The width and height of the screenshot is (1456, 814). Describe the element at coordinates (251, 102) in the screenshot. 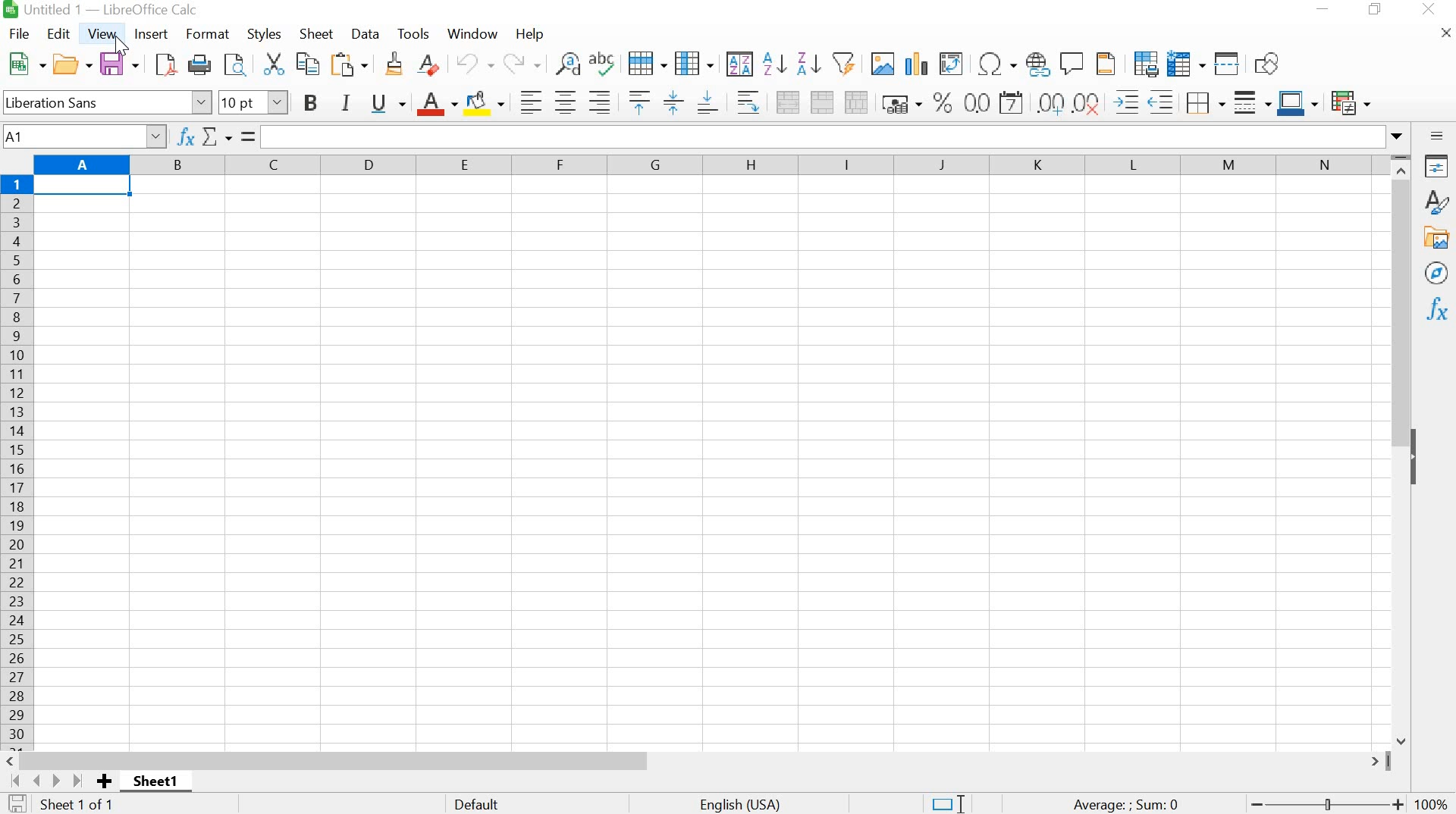

I see `FONT SIZE` at that location.